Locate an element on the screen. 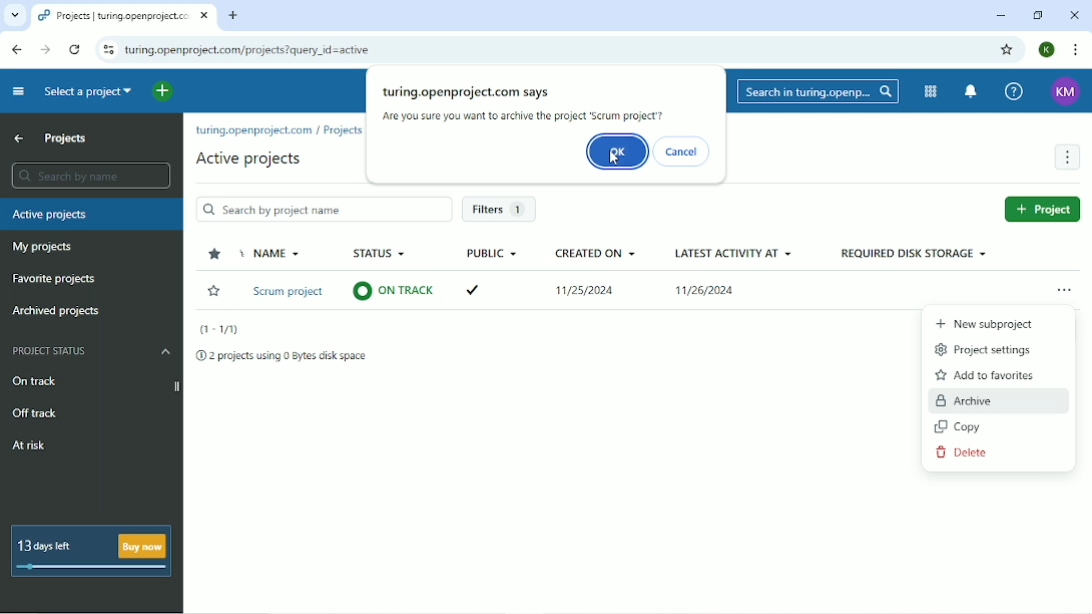 This screenshot has height=614, width=1092. tick is located at coordinates (486, 286).